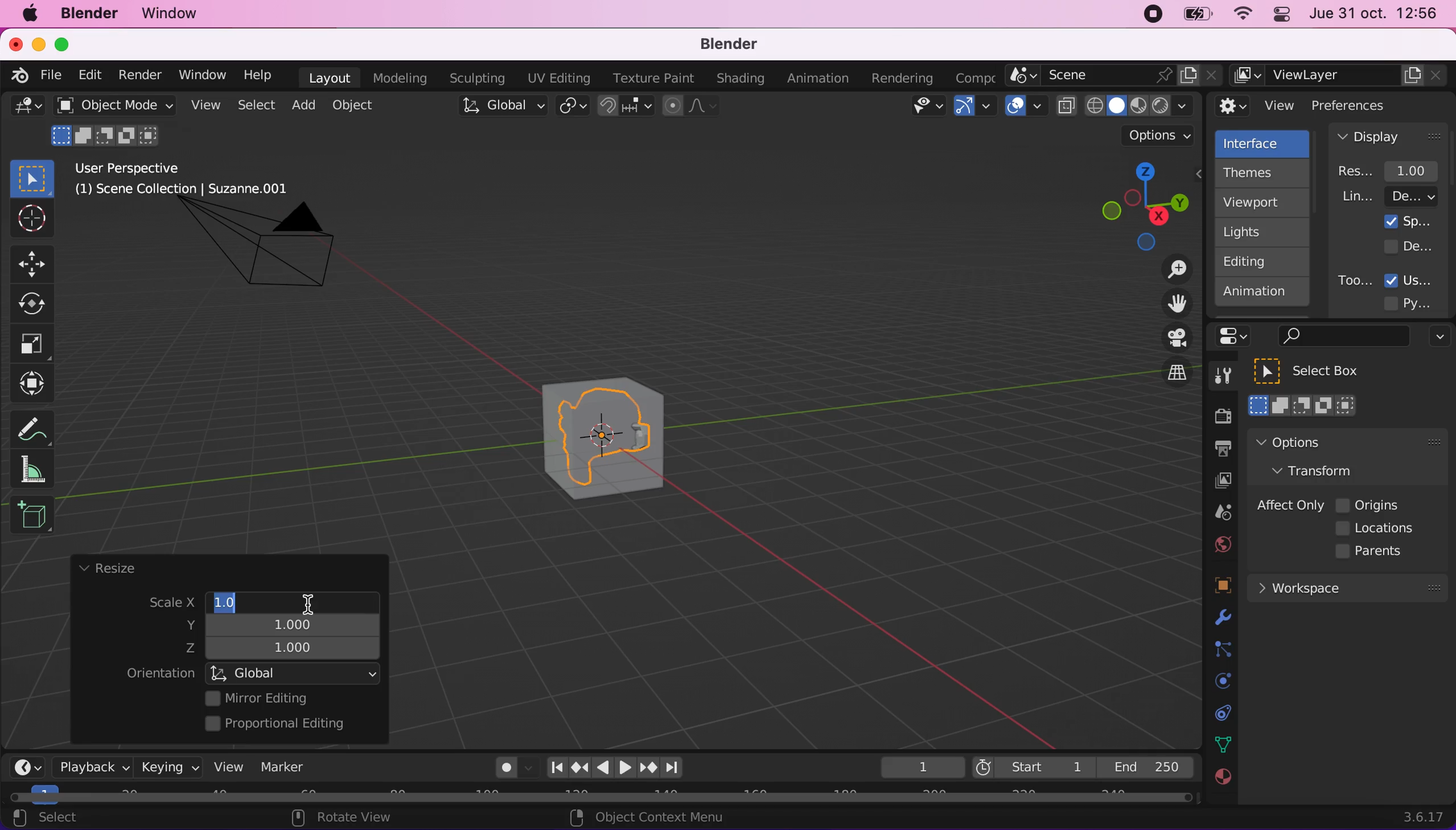 The image size is (1456, 830). What do you see at coordinates (1369, 503) in the screenshot?
I see `origins` at bounding box center [1369, 503].